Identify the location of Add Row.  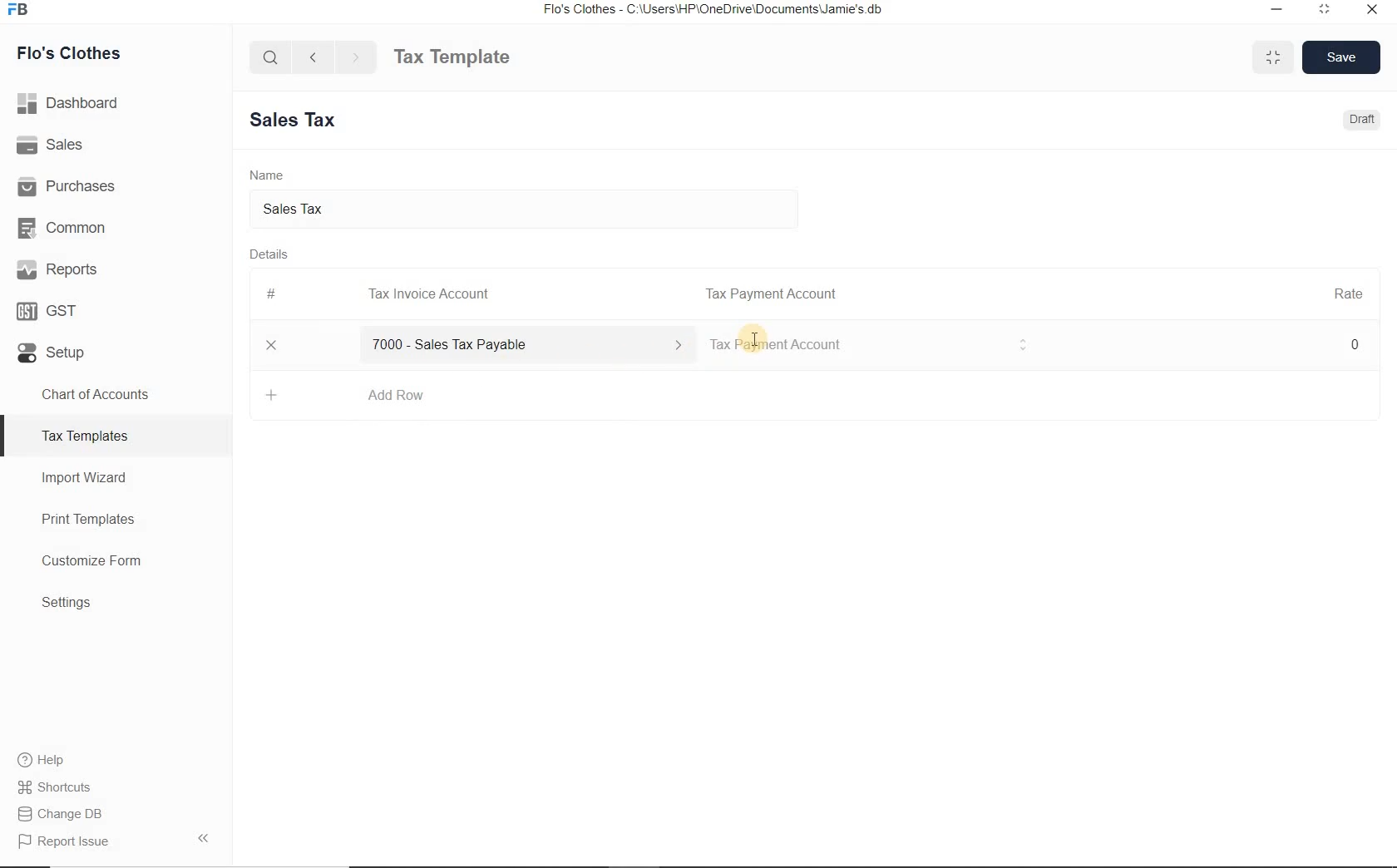
(397, 395).